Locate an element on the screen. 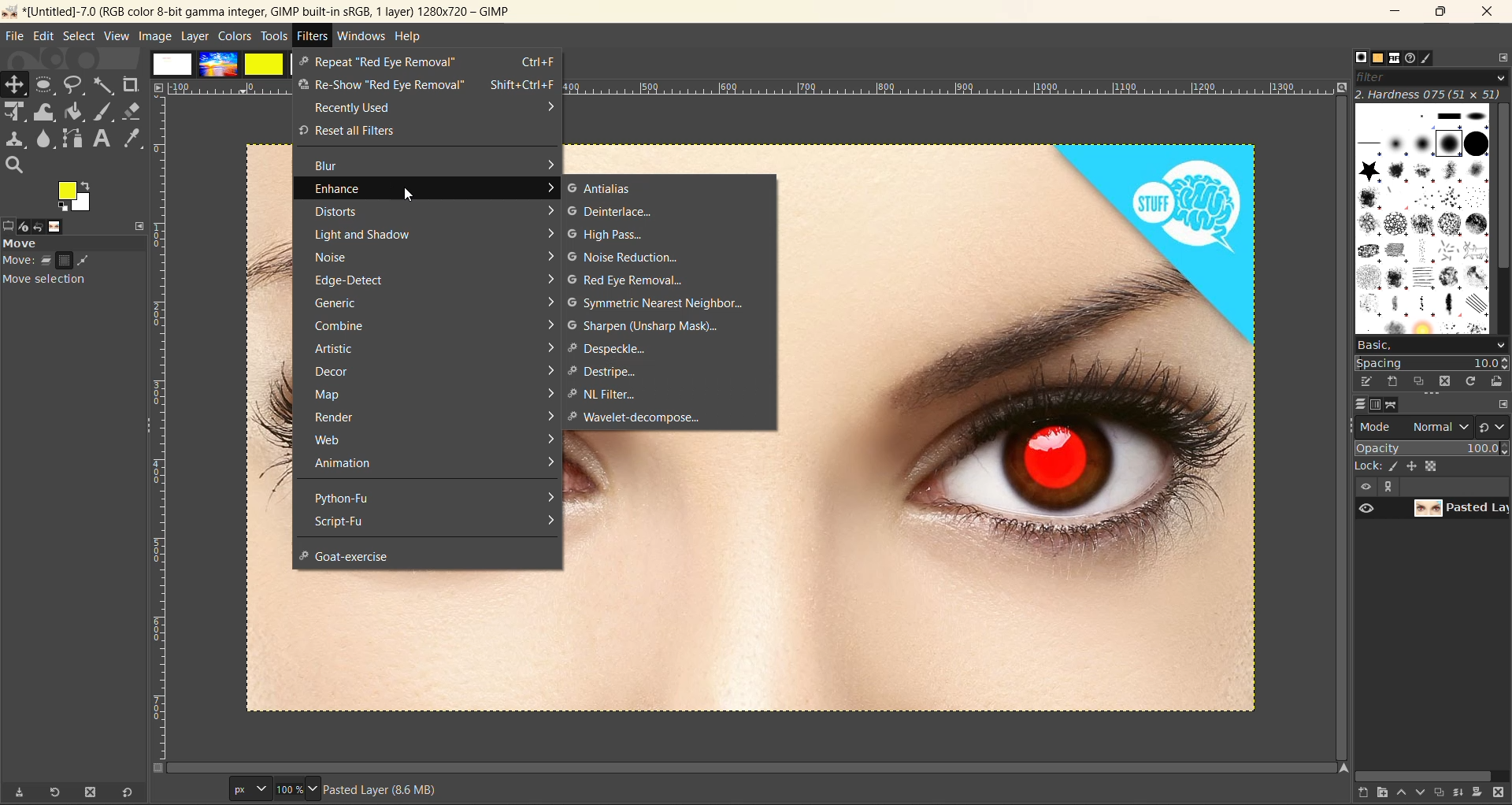 Image resolution: width=1512 pixels, height=805 pixels. lower this layer is located at coordinates (1417, 796).